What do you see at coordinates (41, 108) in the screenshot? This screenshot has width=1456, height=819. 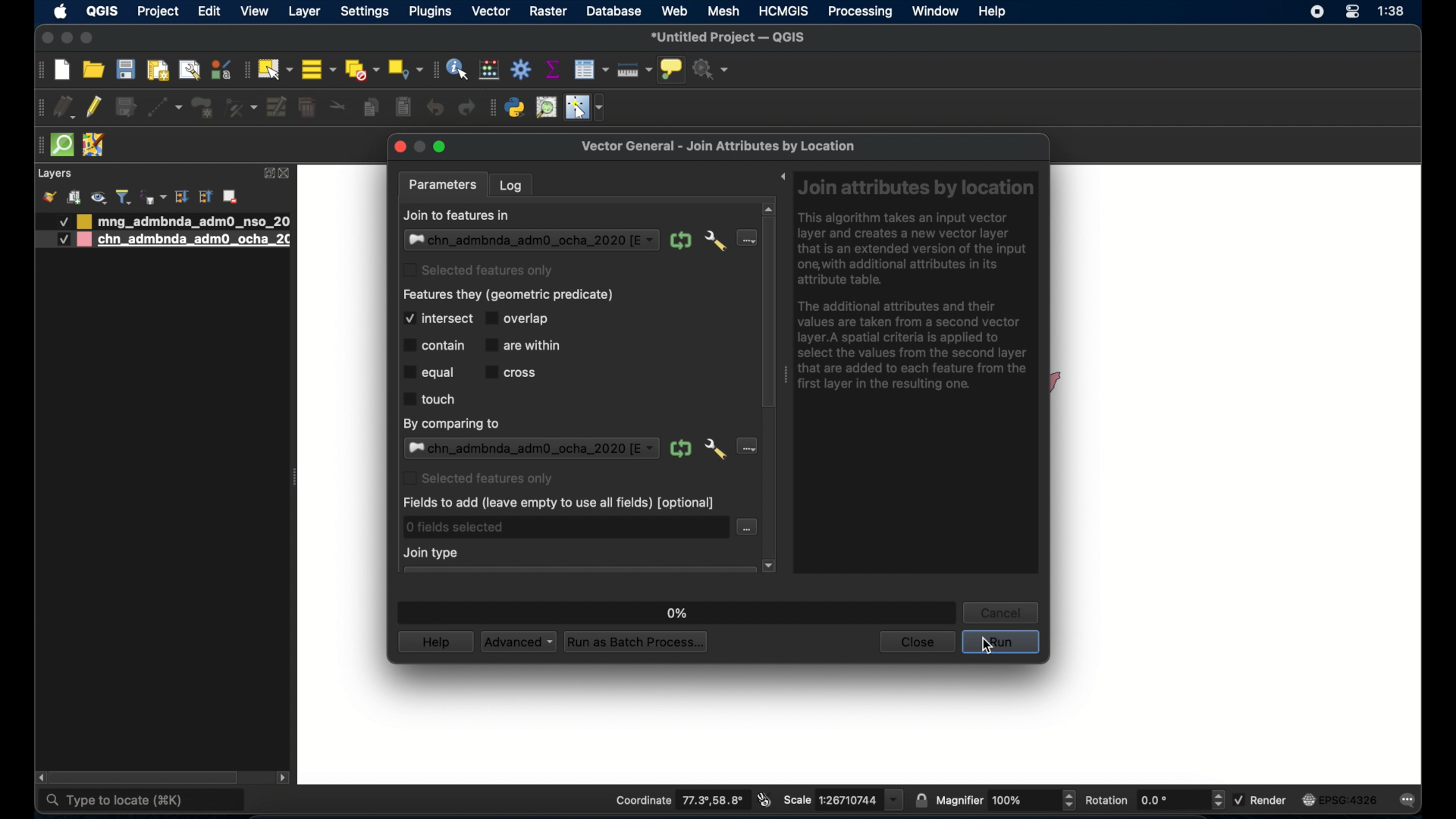 I see `digitizing toolbar` at bounding box center [41, 108].